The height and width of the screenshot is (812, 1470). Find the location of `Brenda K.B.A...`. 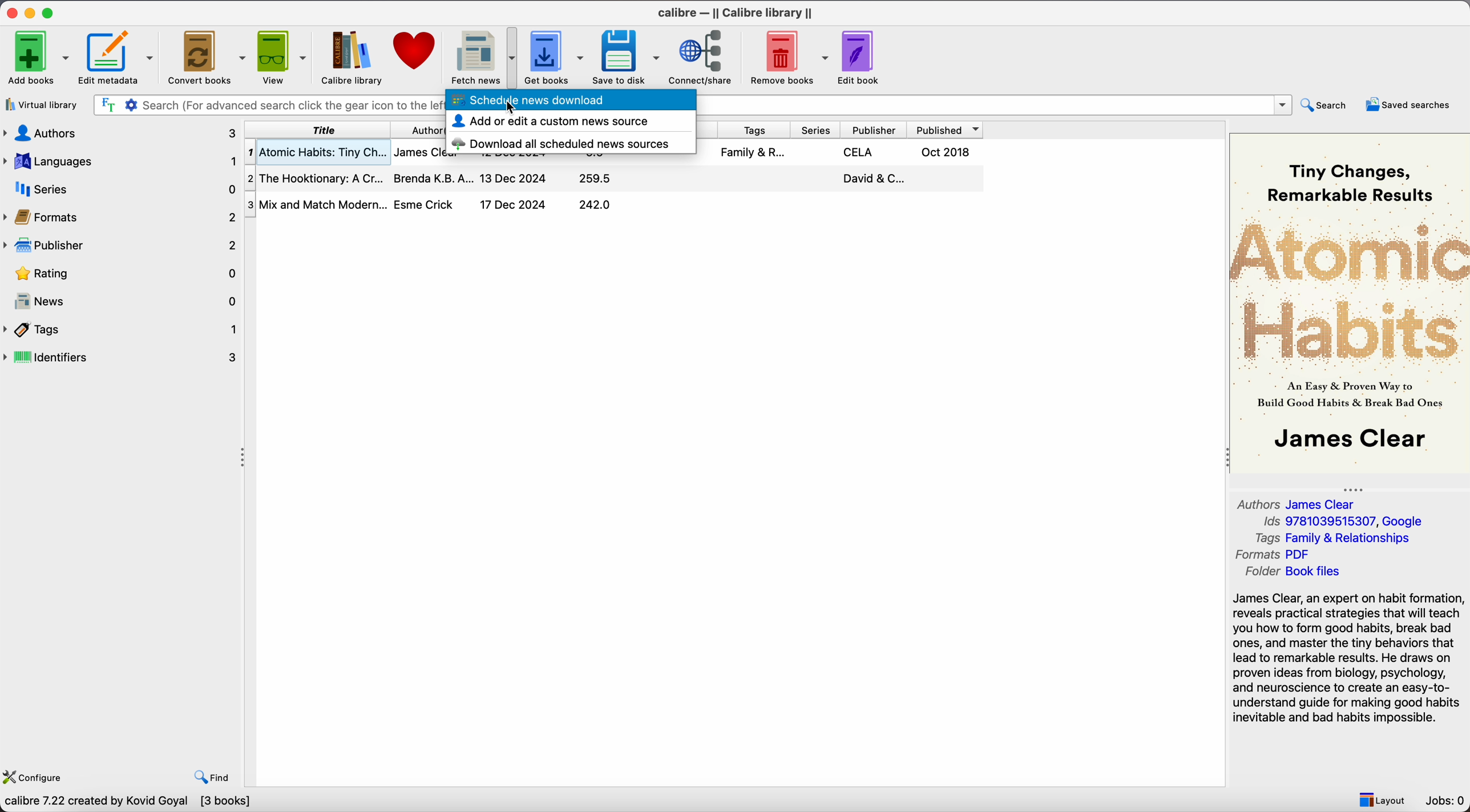

Brenda K.B.A... is located at coordinates (431, 177).